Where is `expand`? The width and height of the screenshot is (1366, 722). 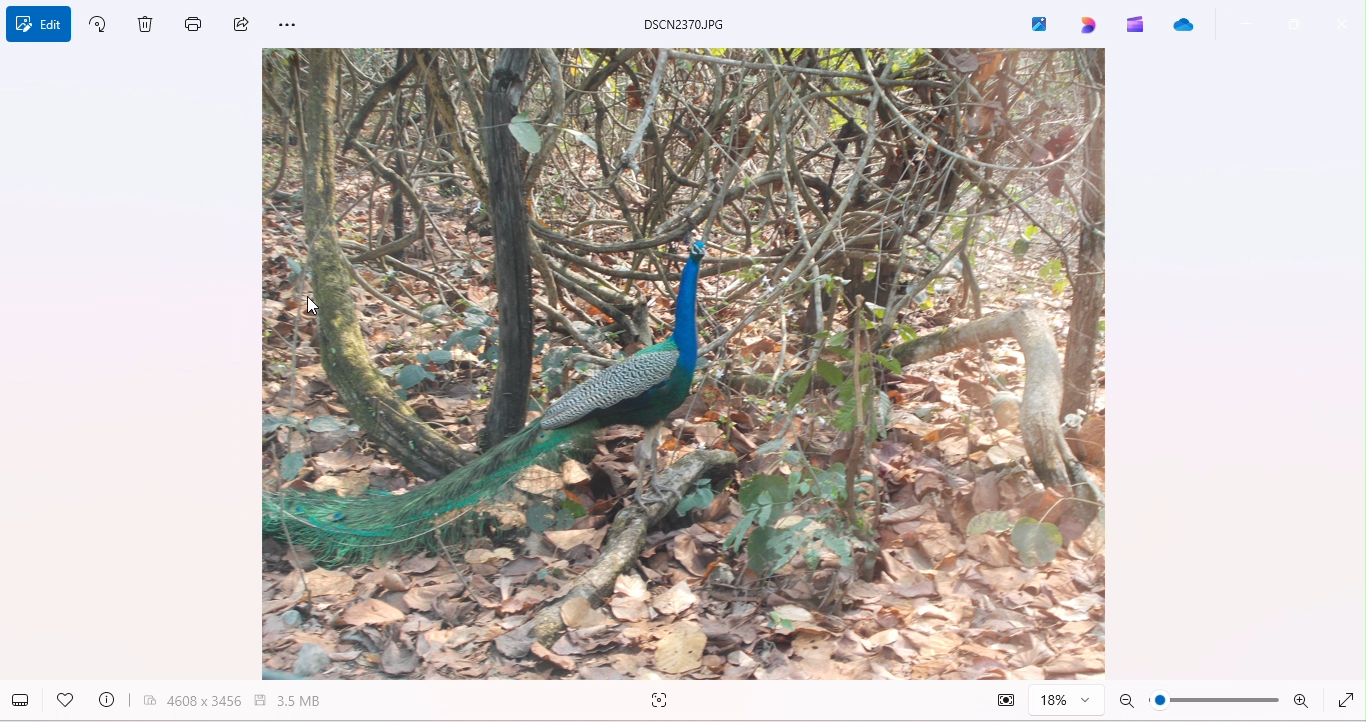
expand is located at coordinates (1349, 700).